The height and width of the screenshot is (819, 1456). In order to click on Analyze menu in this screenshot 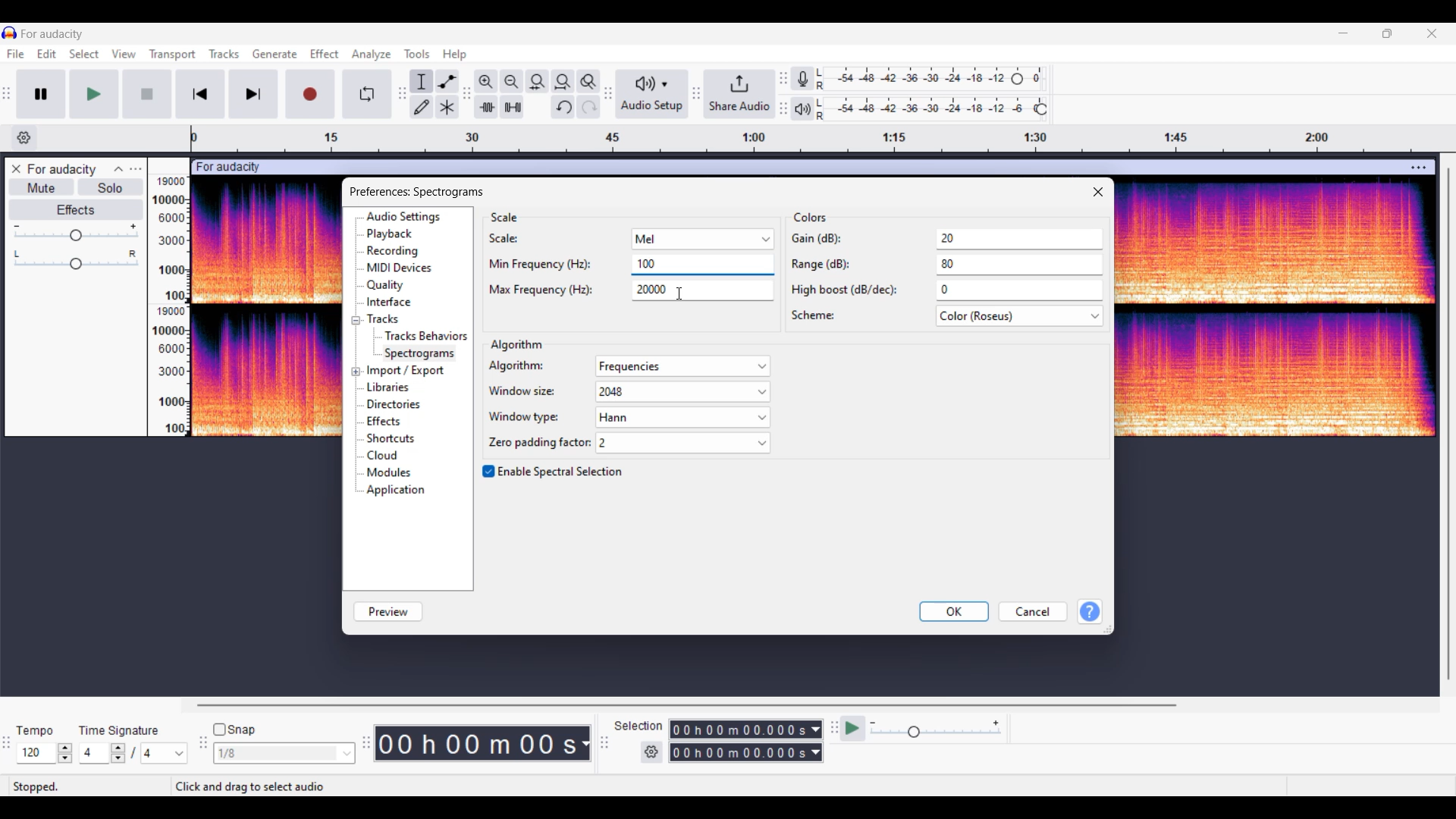, I will do `click(372, 55)`.